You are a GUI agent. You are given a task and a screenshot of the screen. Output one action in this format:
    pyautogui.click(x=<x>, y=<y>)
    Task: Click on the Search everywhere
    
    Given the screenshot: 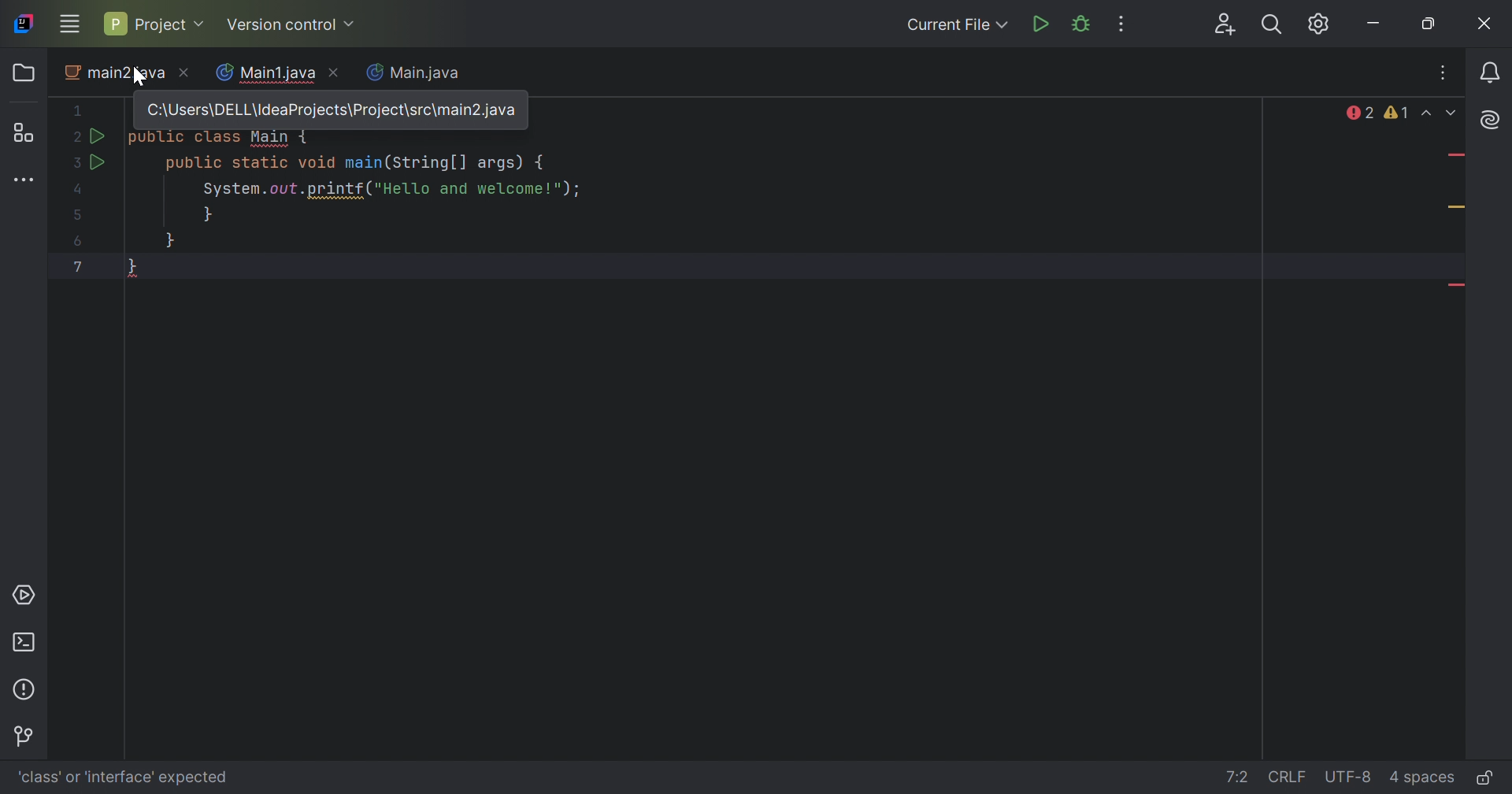 What is the action you would take?
    pyautogui.click(x=1275, y=24)
    